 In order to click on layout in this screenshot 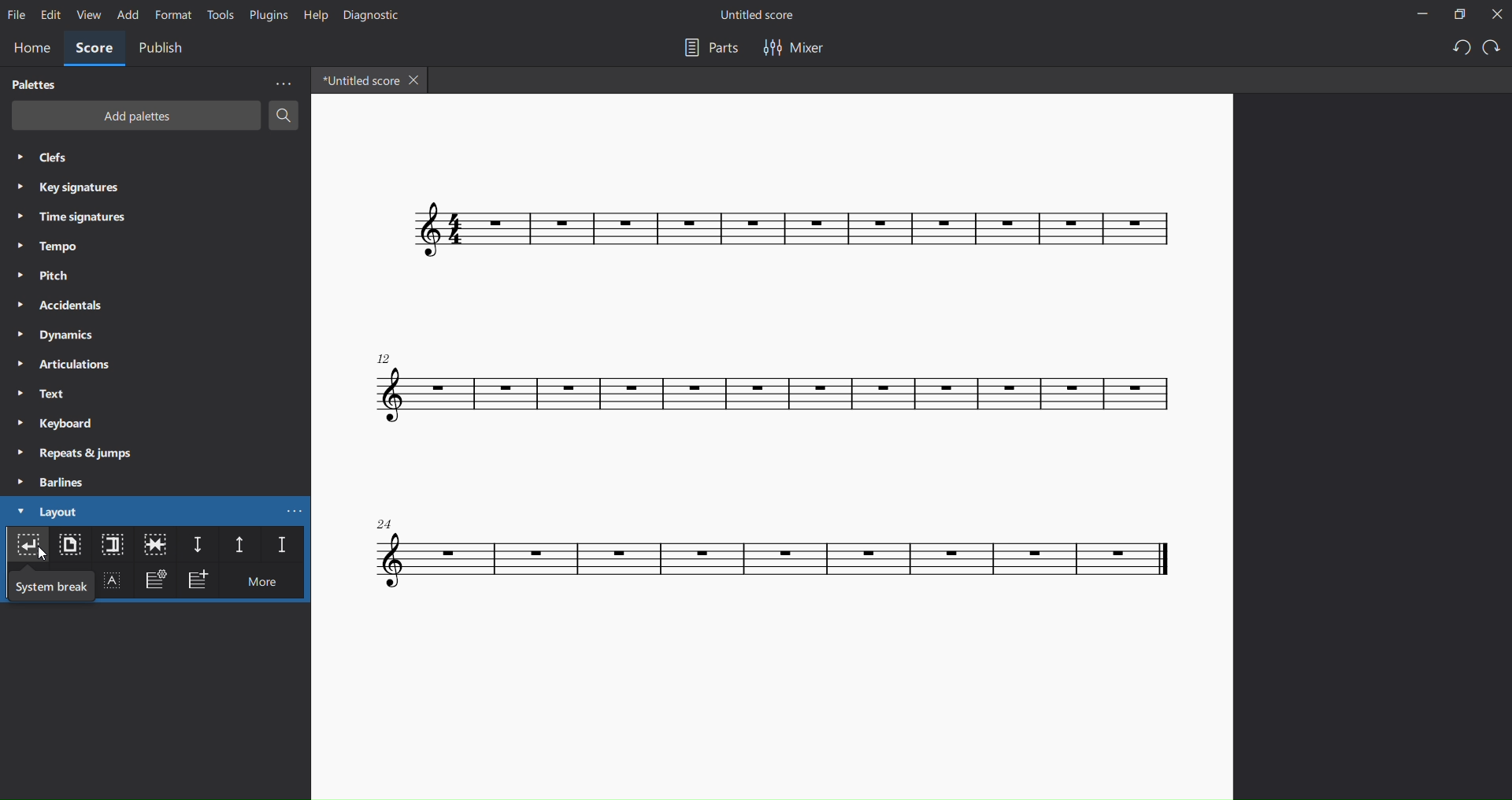, I will do `click(46, 512)`.